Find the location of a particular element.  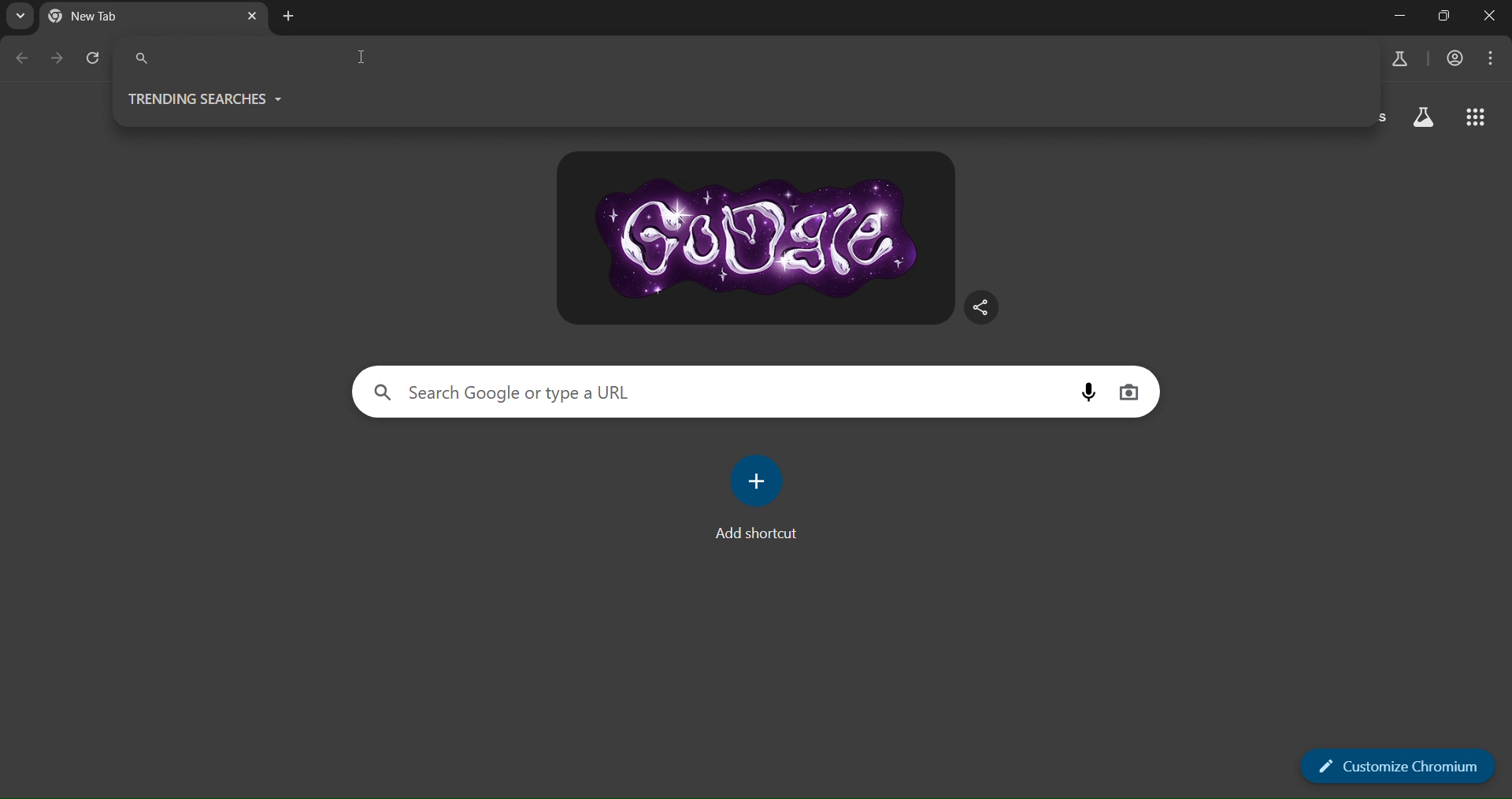

close is located at coordinates (1484, 21).